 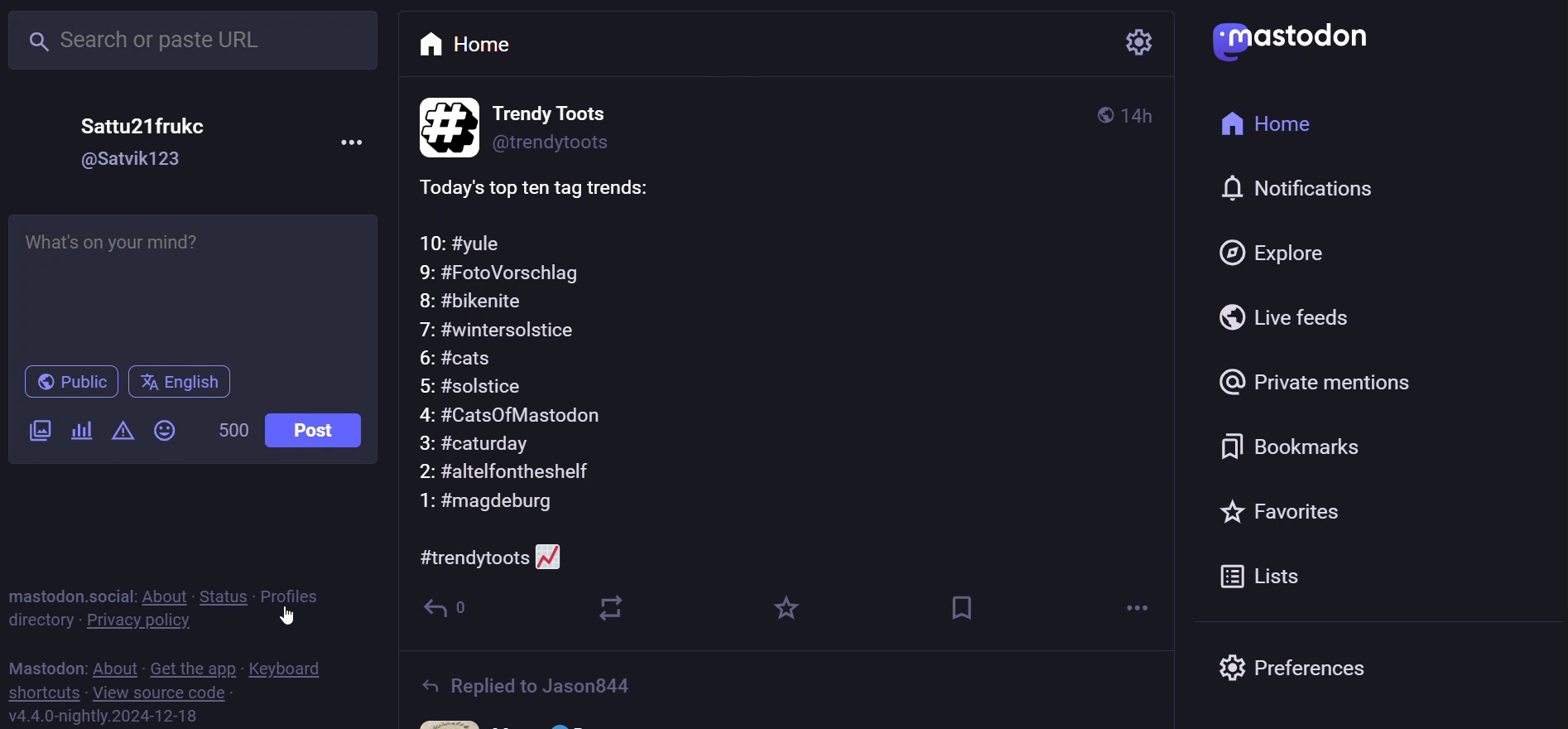 I want to click on english, so click(x=184, y=383).